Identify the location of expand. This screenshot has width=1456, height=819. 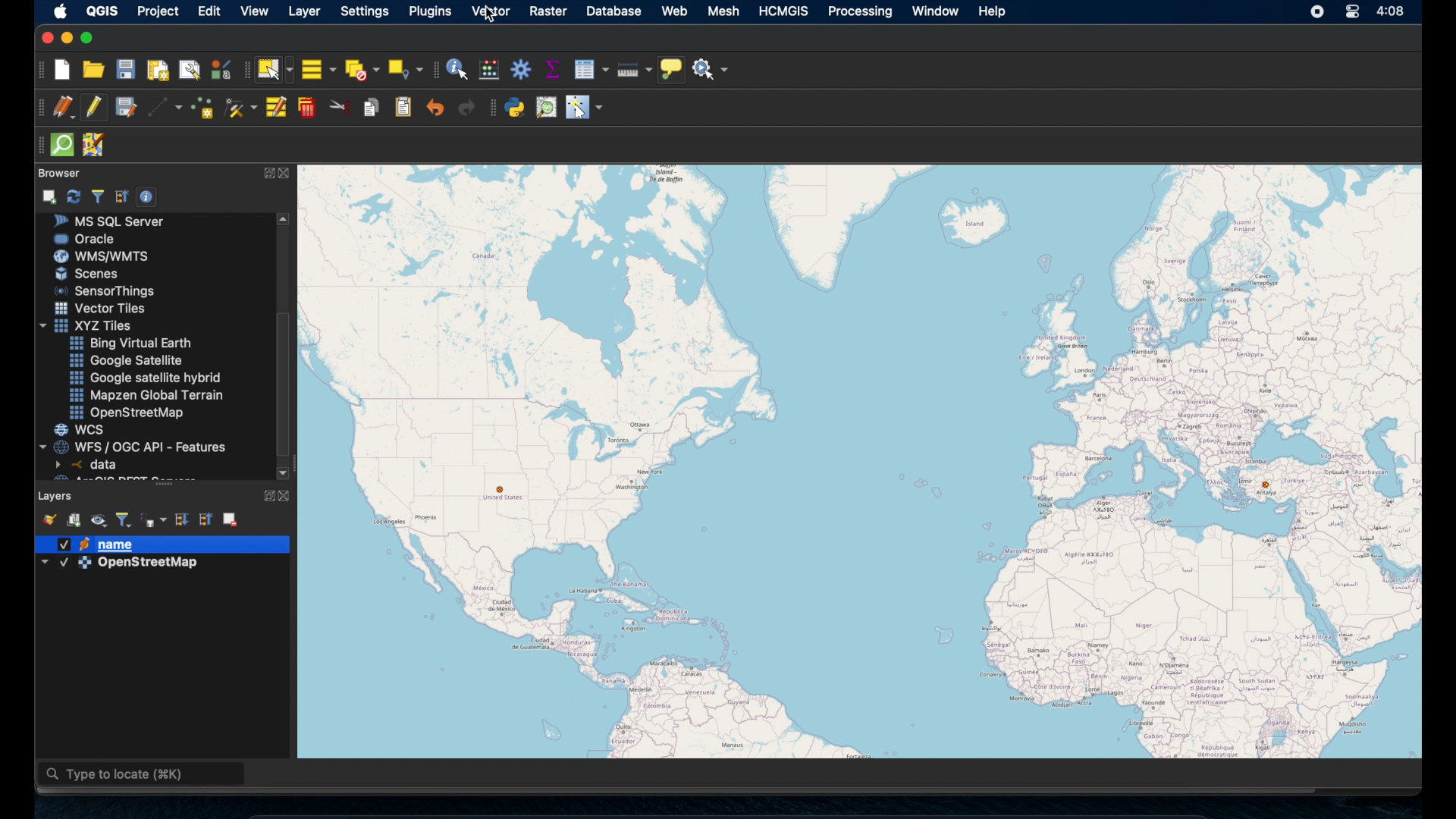
(265, 494).